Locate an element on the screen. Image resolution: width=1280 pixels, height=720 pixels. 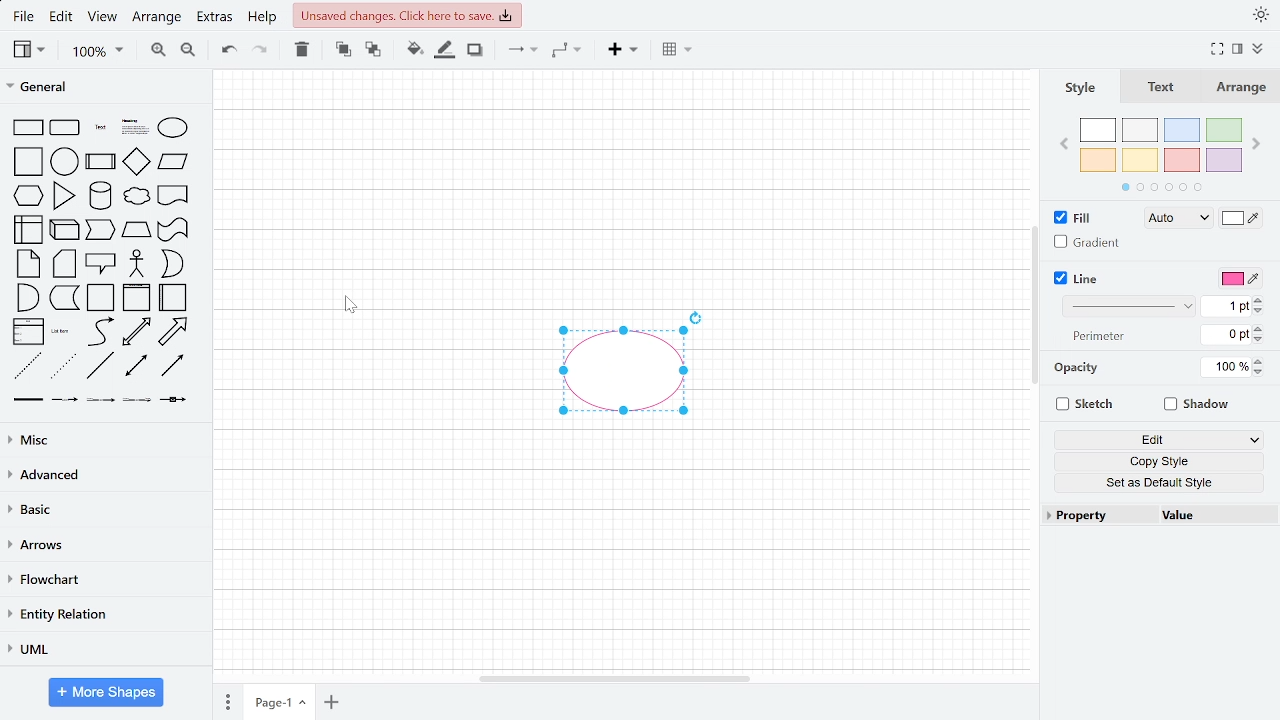
rotate diagram is located at coordinates (698, 318).